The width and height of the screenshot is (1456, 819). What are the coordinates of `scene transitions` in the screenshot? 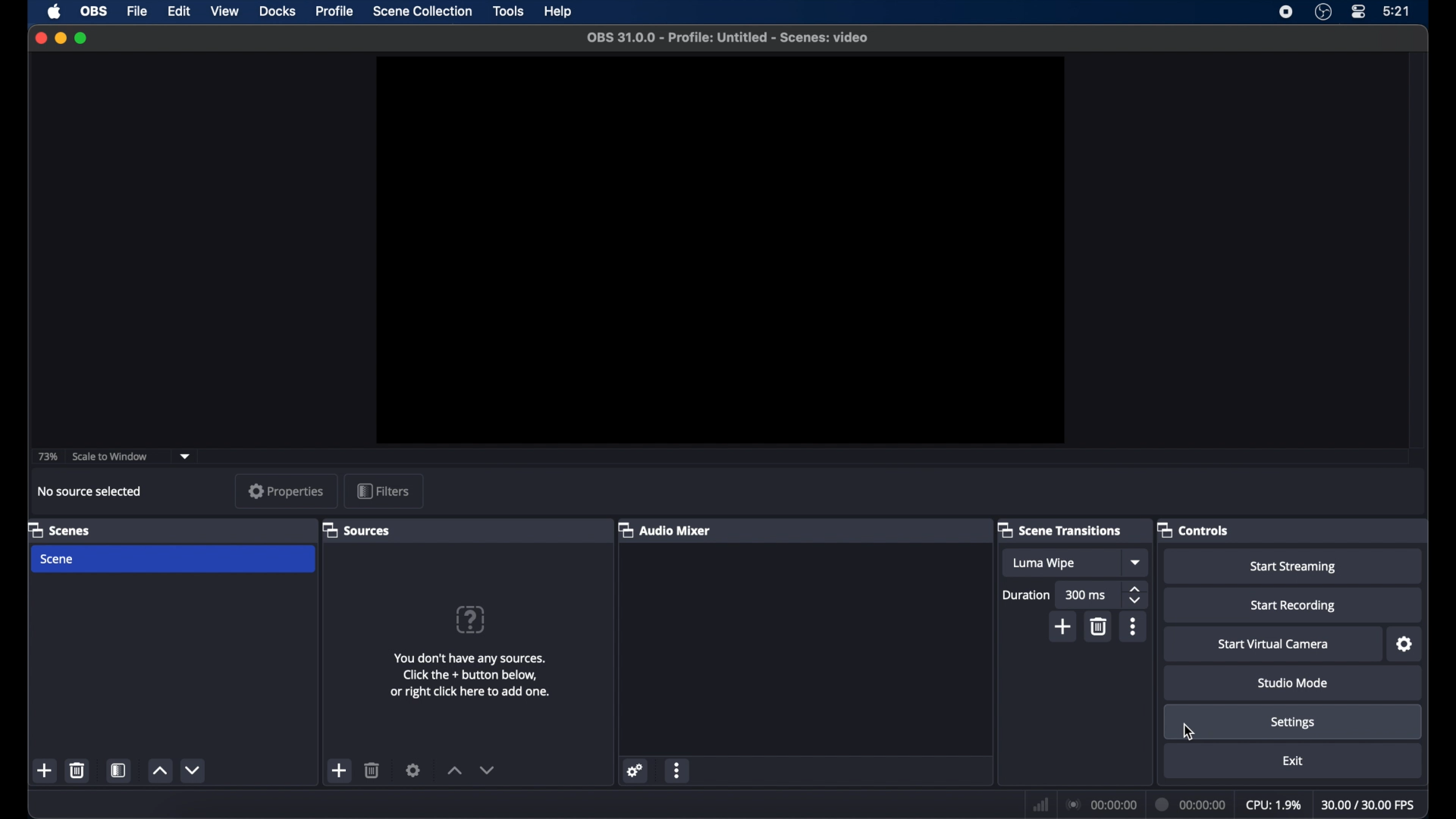 It's located at (1061, 531).